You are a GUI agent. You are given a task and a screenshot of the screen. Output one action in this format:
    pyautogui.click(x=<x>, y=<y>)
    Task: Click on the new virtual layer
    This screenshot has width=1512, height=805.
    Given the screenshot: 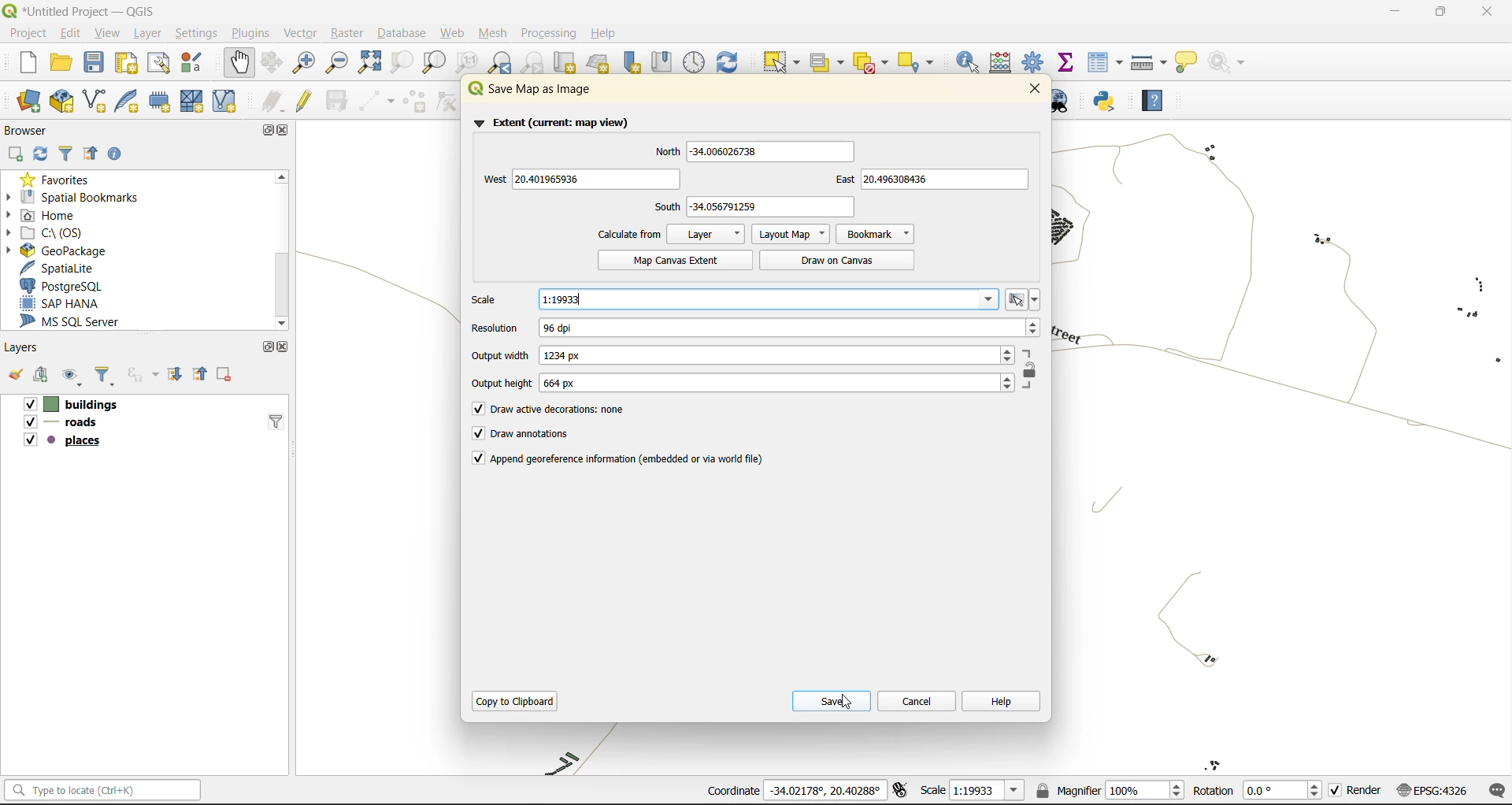 What is the action you would take?
    pyautogui.click(x=225, y=100)
    